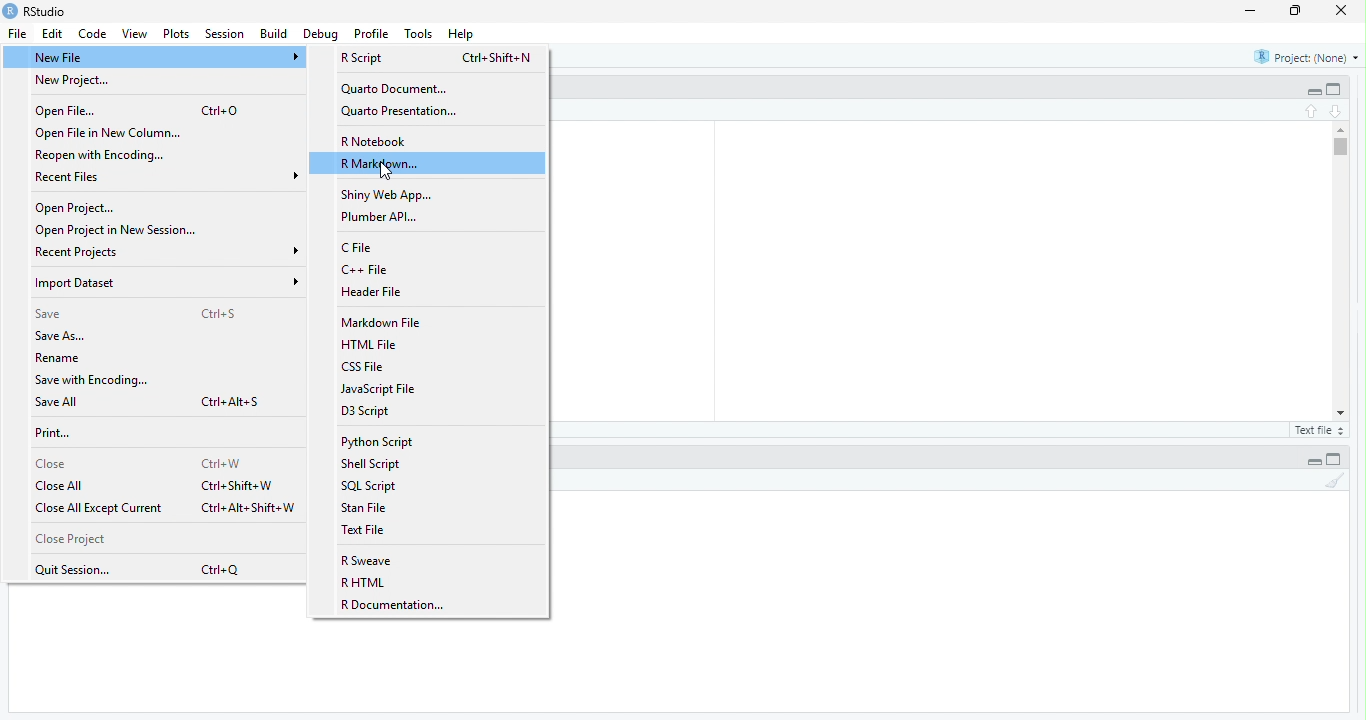 The image size is (1366, 720). I want to click on Save, so click(51, 314).